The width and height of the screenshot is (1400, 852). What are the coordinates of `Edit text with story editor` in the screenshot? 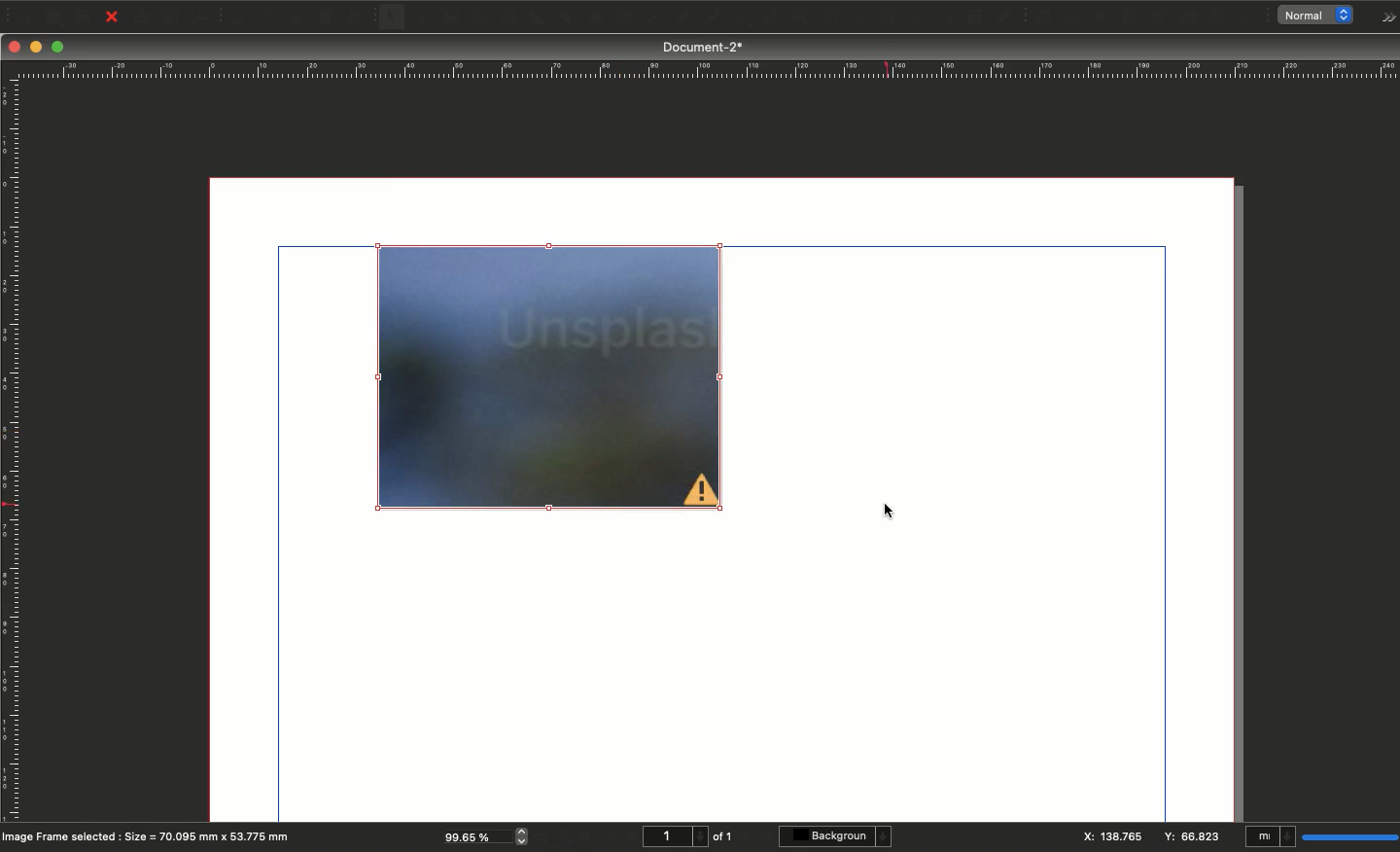 It's located at (841, 18).